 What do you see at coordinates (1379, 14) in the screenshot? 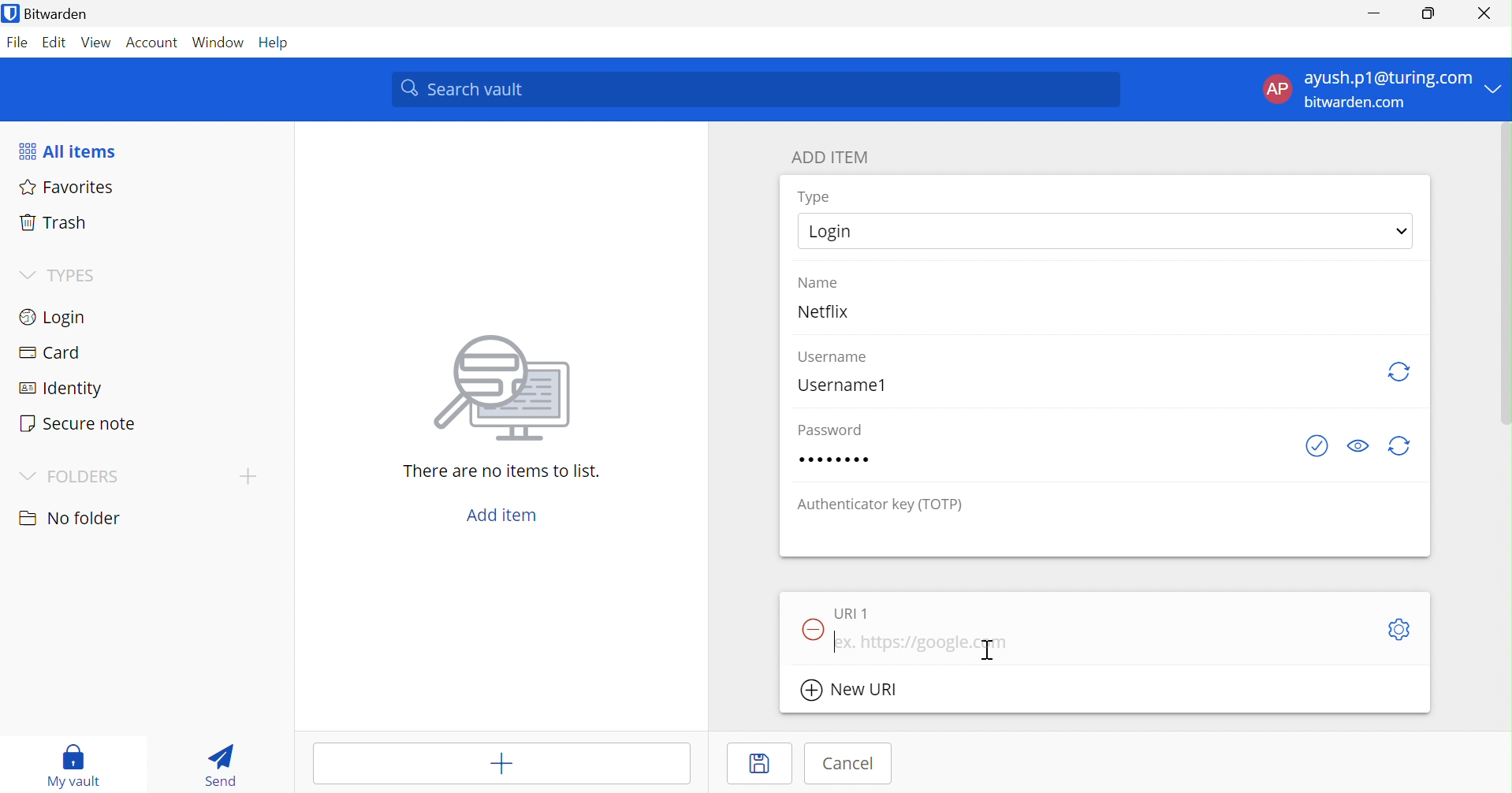
I see `Minimize` at bounding box center [1379, 14].